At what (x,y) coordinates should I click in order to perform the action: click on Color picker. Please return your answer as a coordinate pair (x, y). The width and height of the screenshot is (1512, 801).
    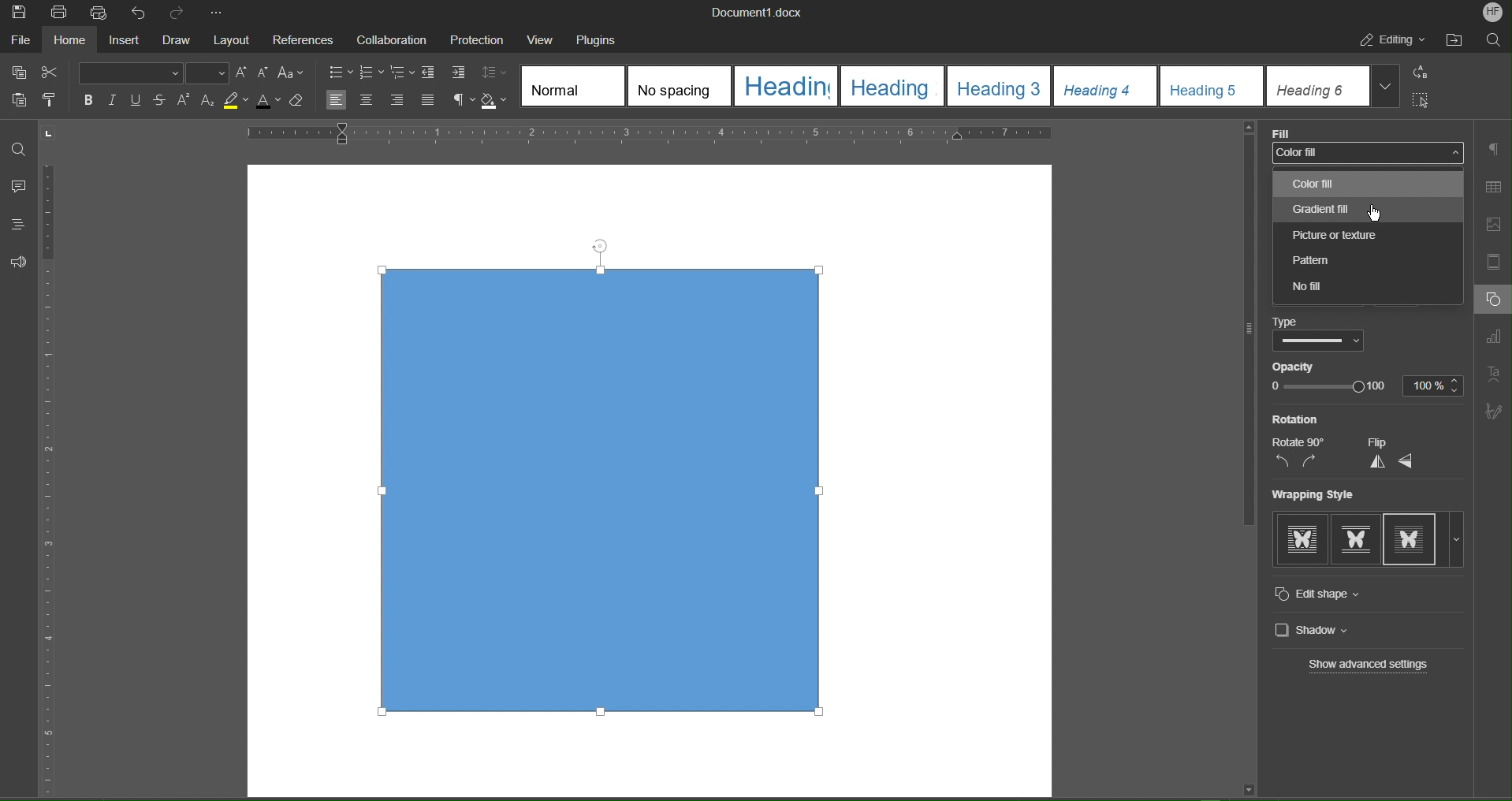
    Looking at the image, I should click on (1305, 320).